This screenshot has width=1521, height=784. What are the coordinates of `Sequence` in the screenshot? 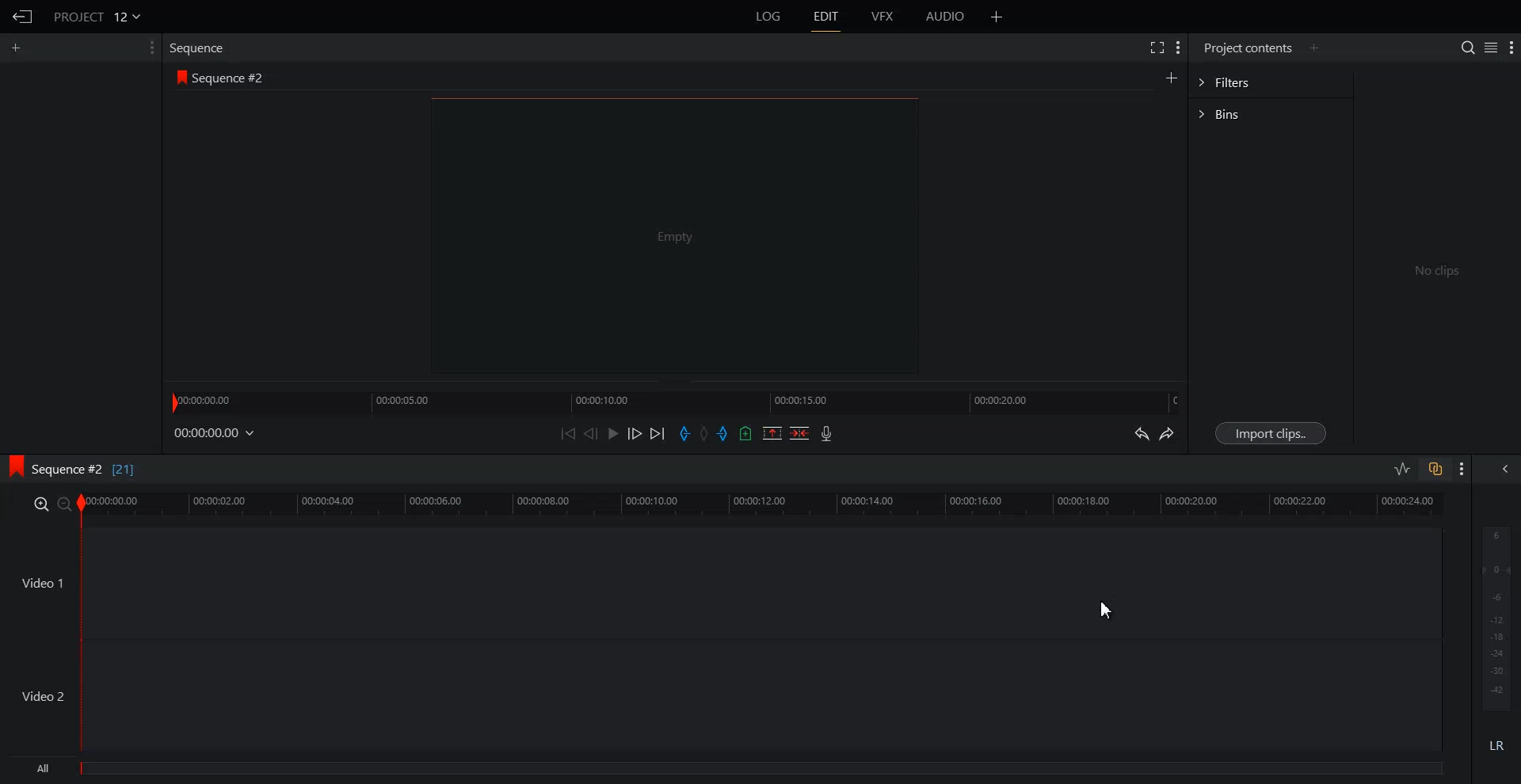 It's located at (200, 47).